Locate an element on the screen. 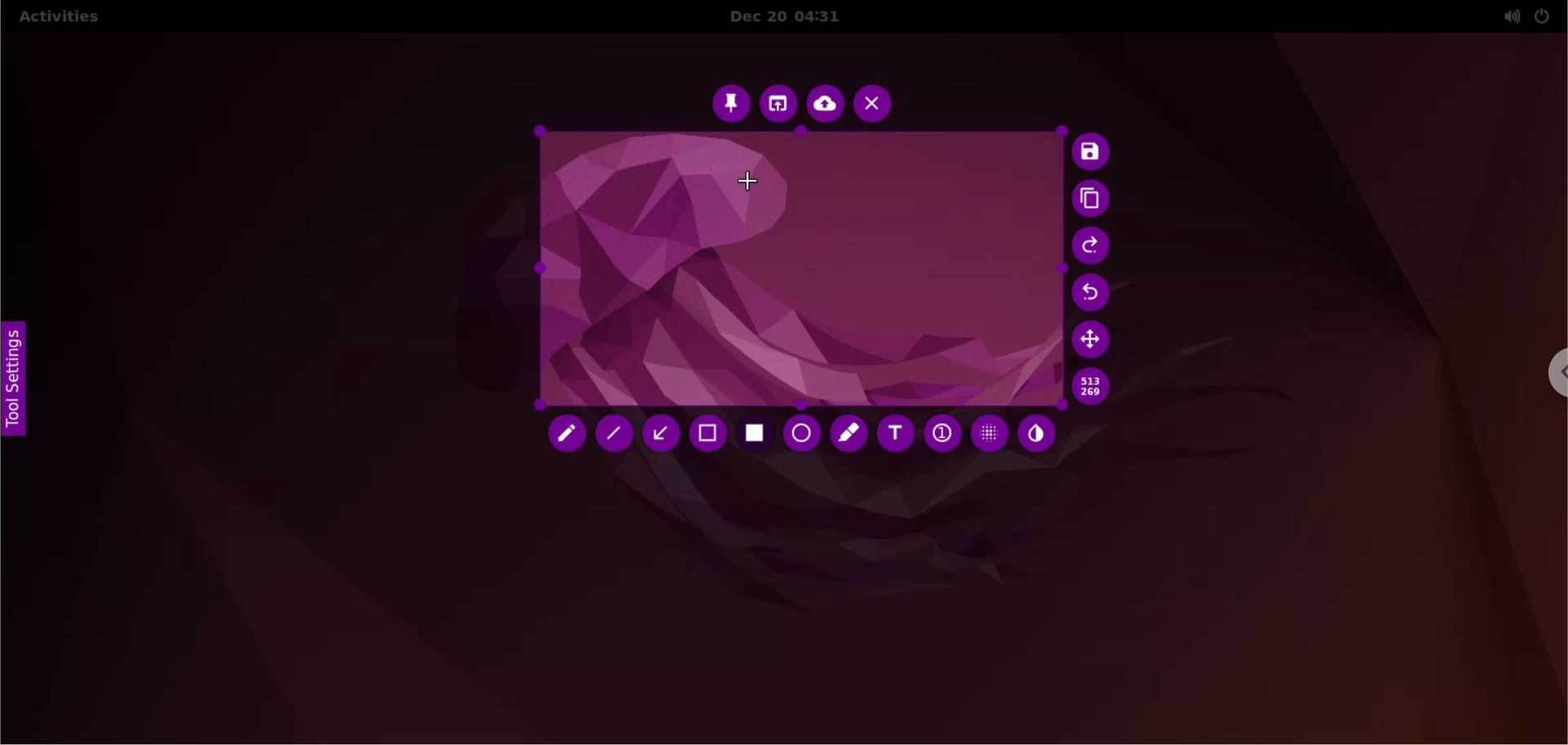 The image size is (1568, 745). marker tool is located at coordinates (849, 436).